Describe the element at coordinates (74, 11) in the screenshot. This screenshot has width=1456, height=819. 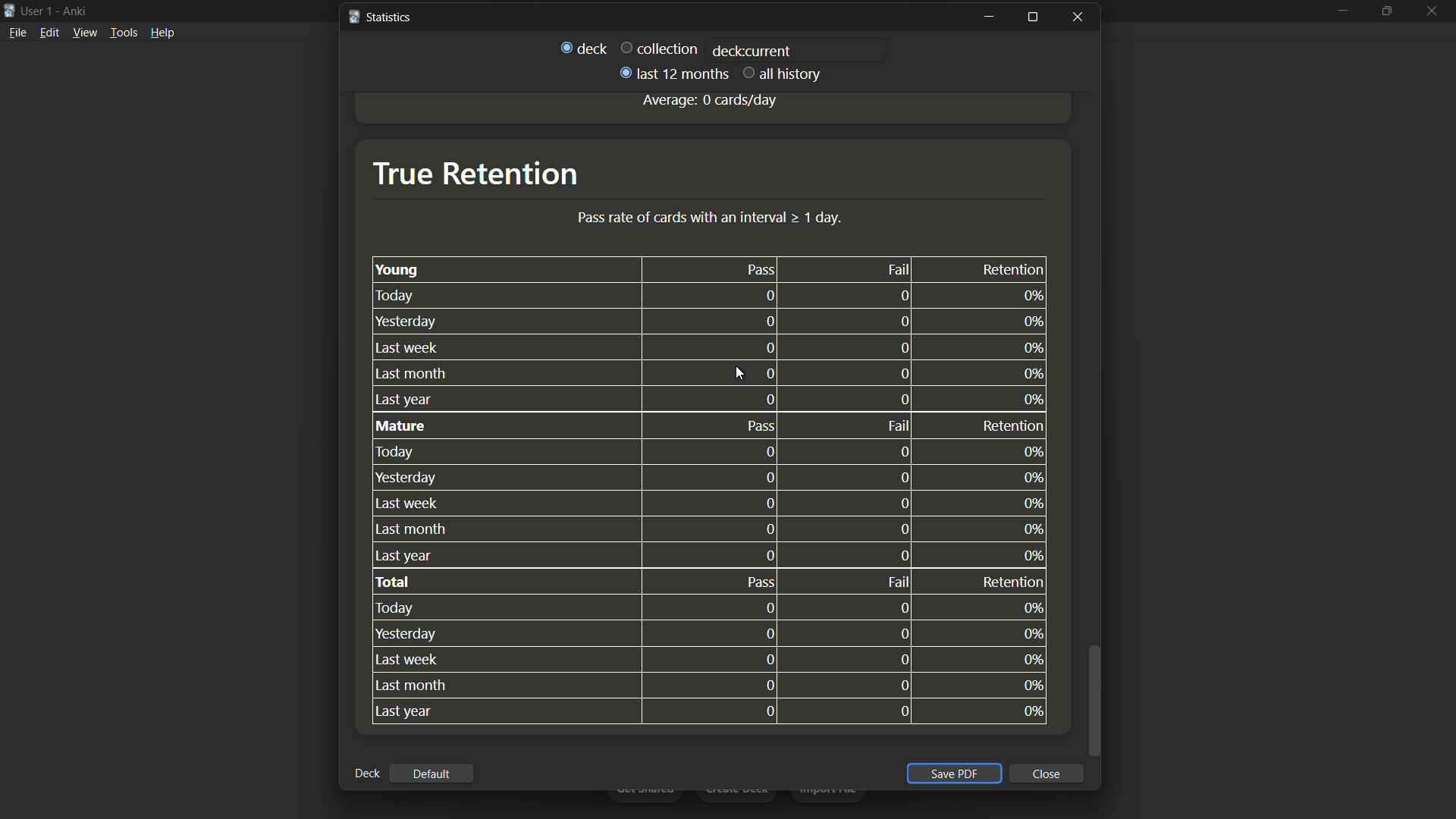
I see `app name` at that location.